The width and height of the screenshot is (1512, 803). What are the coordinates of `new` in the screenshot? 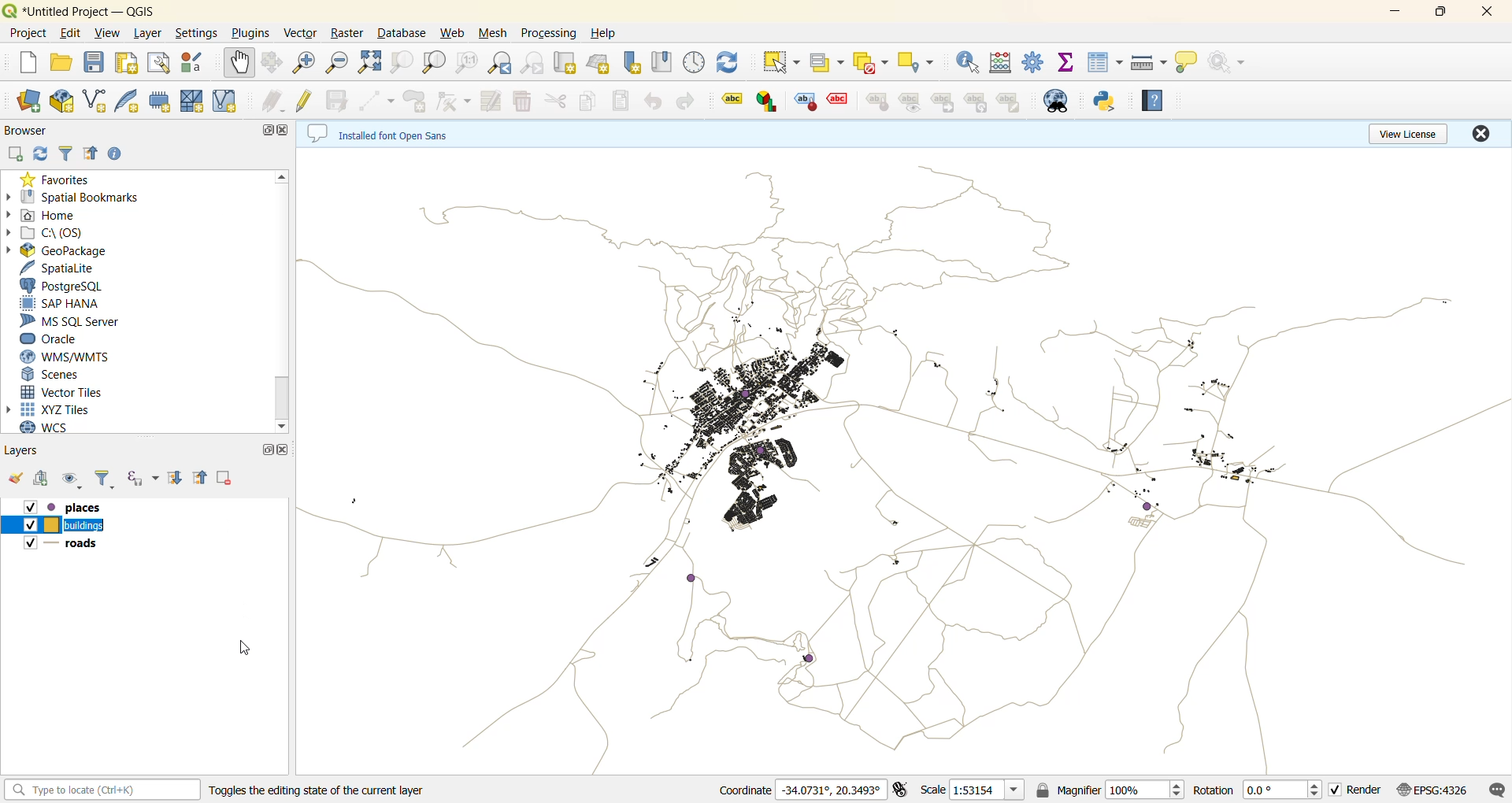 It's located at (20, 62).